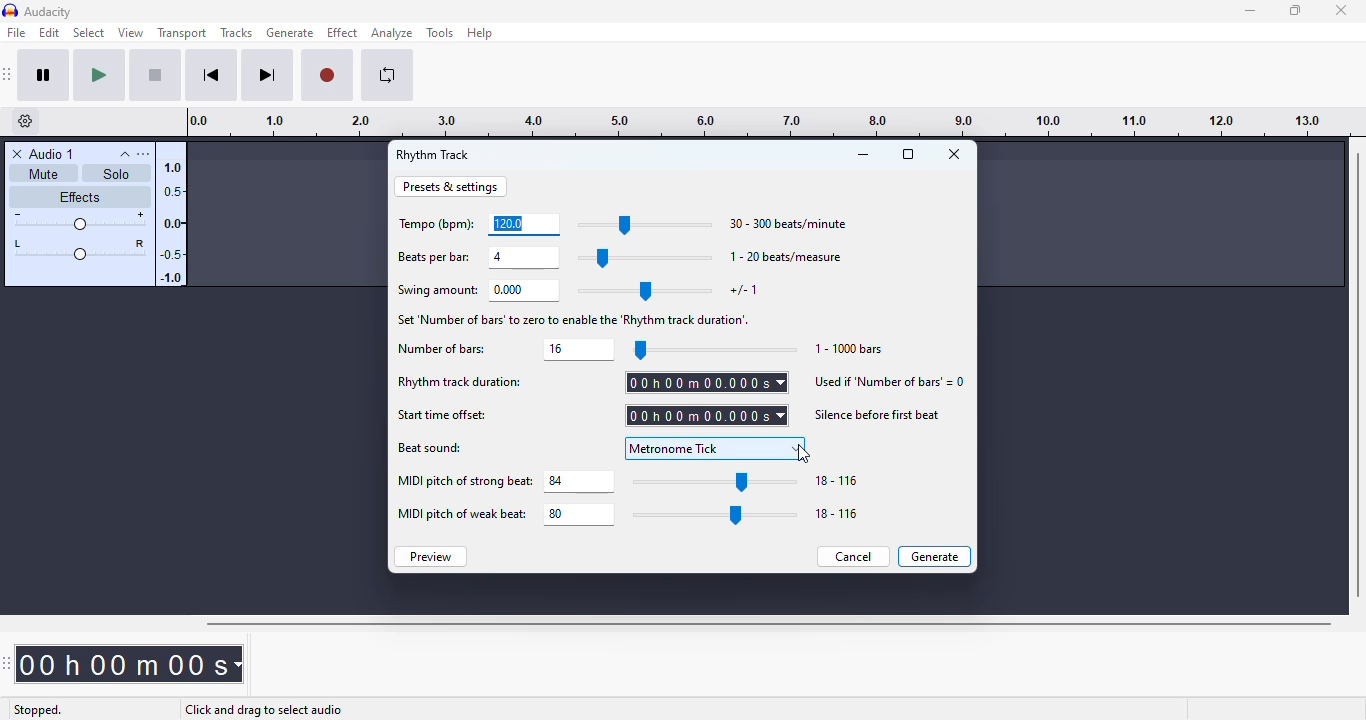  I want to click on 1-20 beats/measure, so click(785, 256).